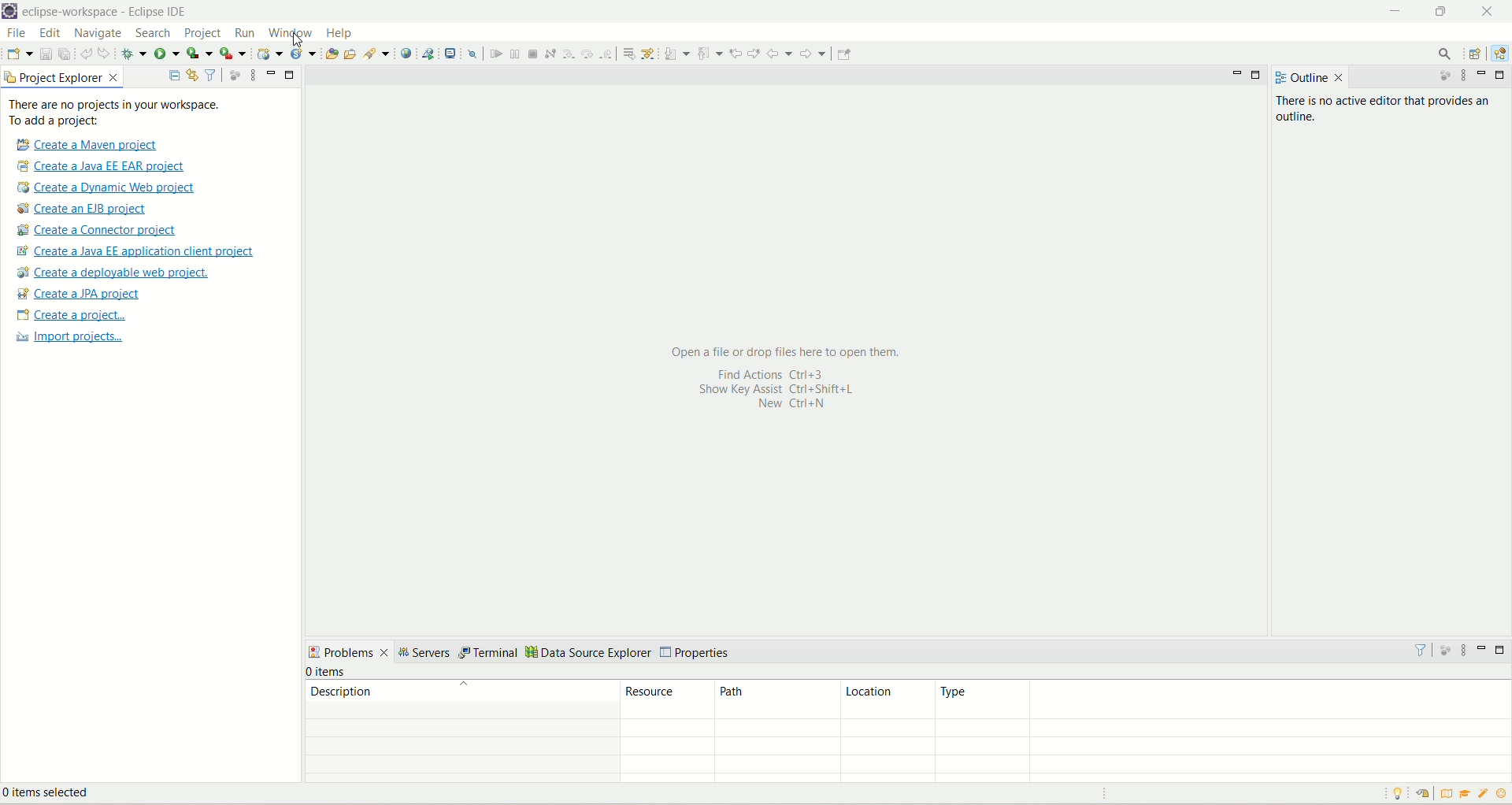  What do you see at coordinates (550, 53) in the screenshot?
I see `disconnect` at bounding box center [550, 53].